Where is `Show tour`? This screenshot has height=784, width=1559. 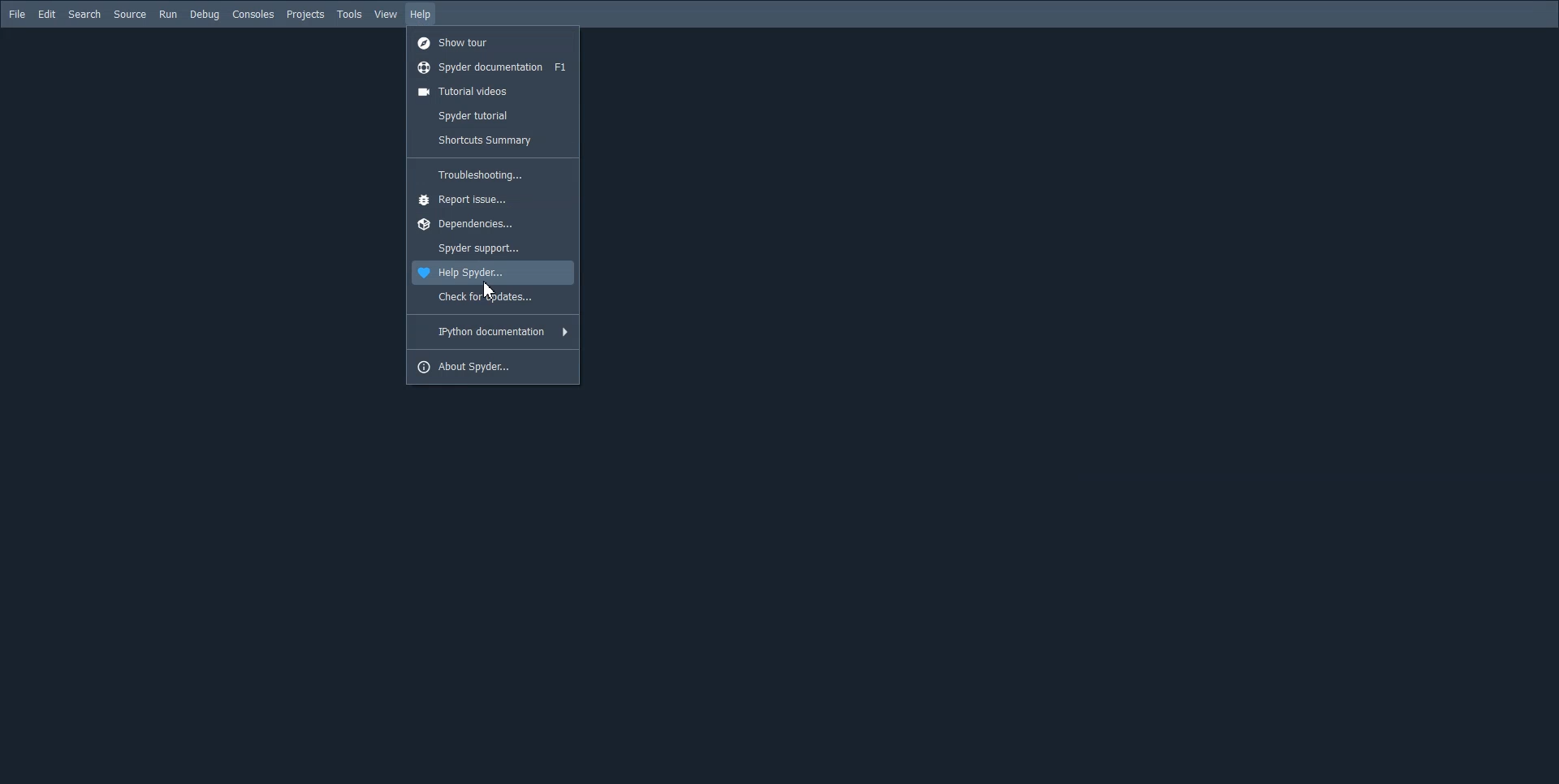
Show tour is located at coordinates (493, 43).